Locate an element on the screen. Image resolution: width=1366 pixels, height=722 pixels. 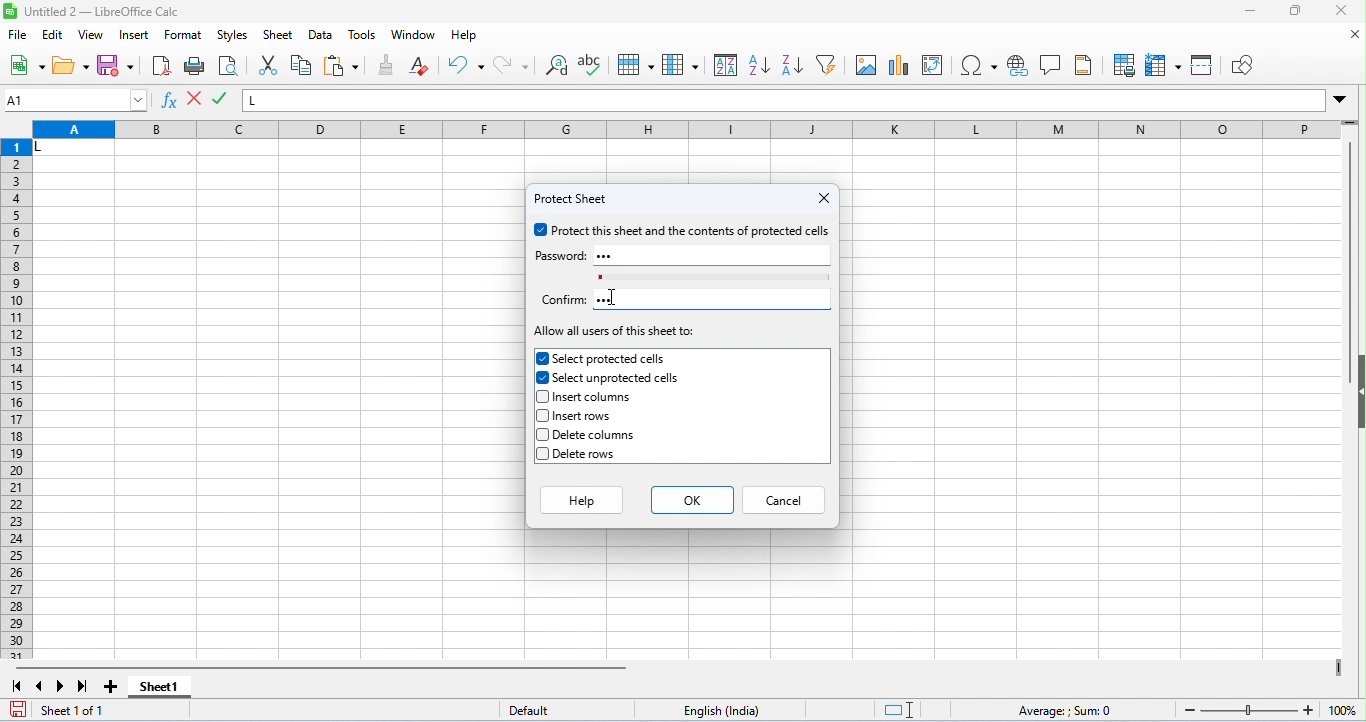
export pdf is located at coordinates (161, 65).